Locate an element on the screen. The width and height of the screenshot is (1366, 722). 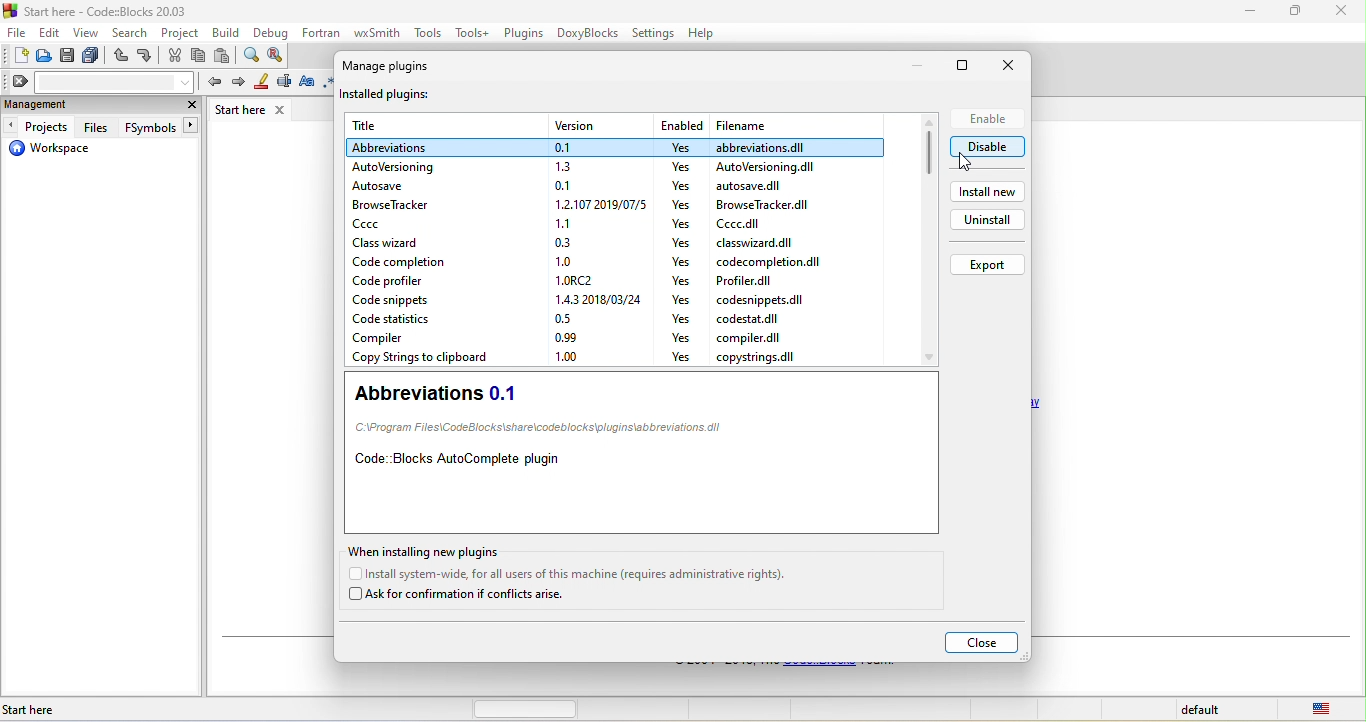
autosave is located at coordinates (394, 188).